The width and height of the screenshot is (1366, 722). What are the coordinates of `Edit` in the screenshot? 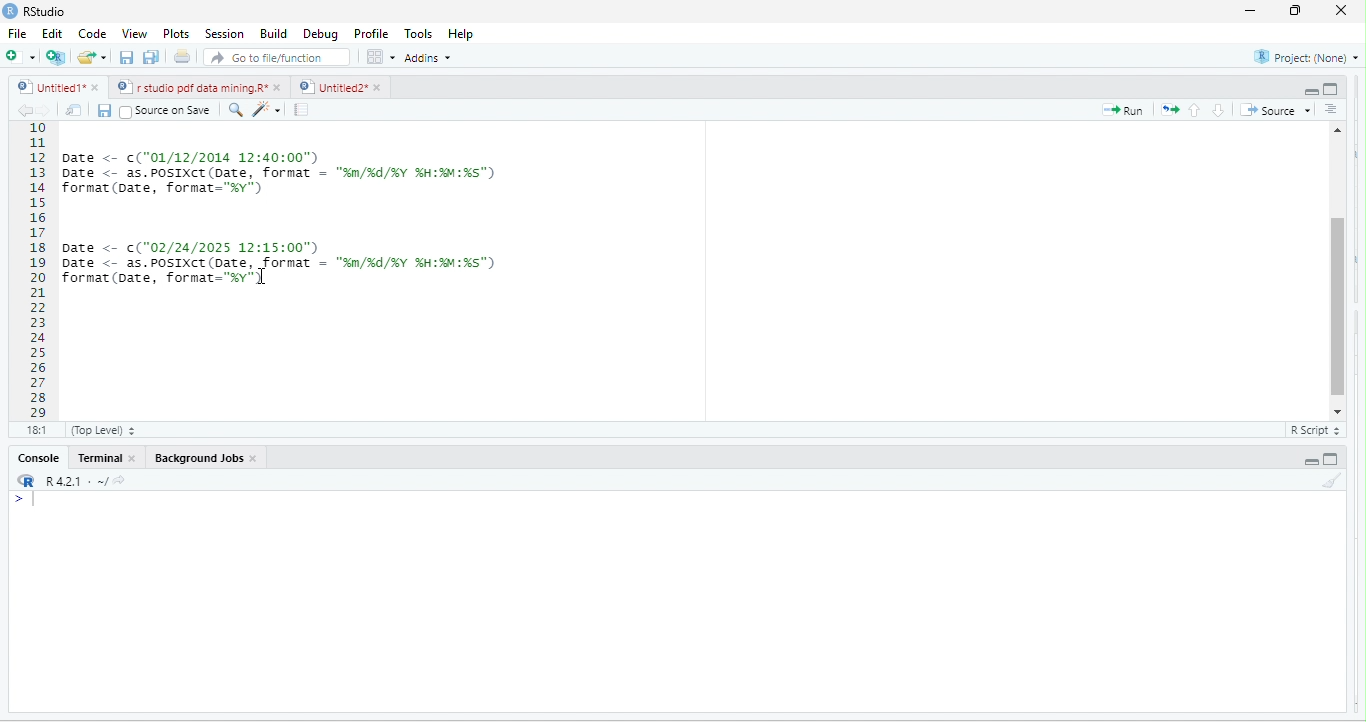 It's located at (52, 36).